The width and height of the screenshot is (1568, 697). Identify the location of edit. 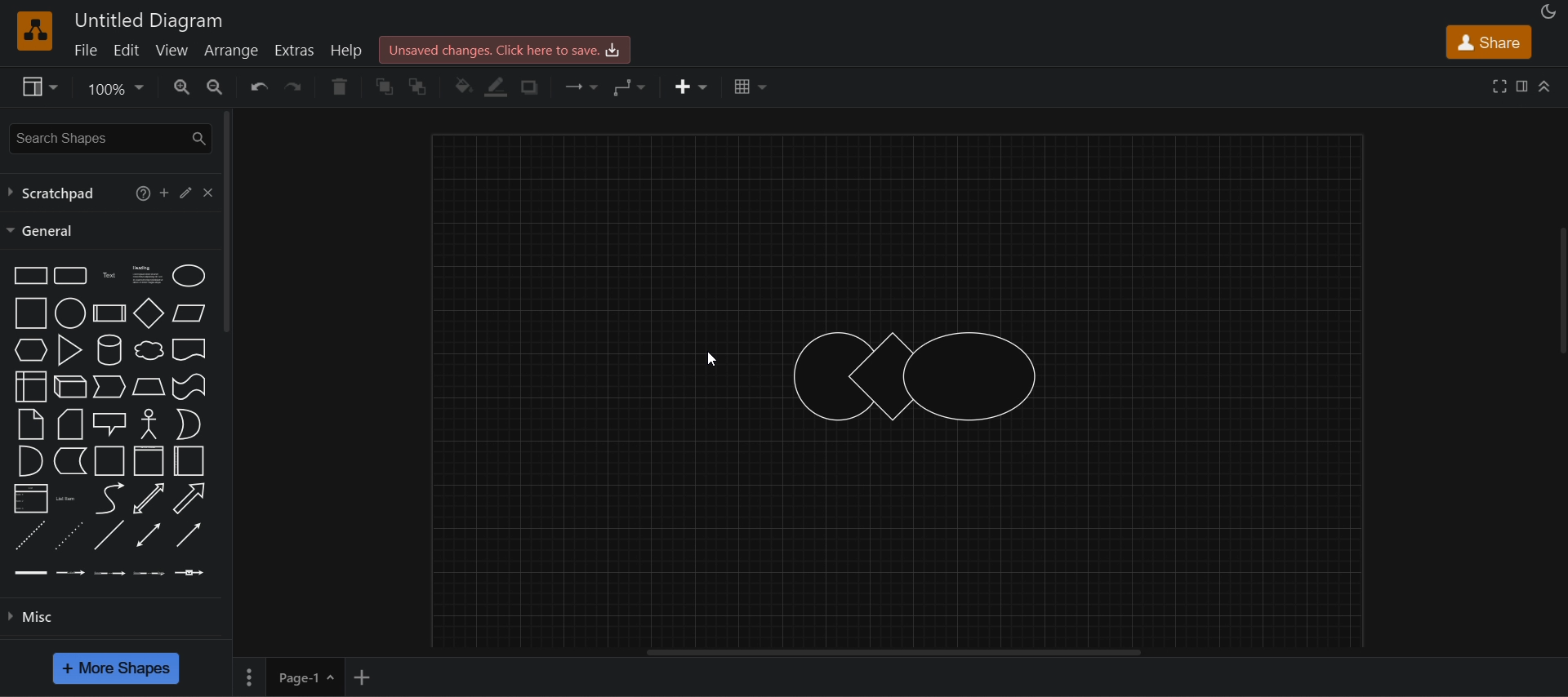
(185, 191).